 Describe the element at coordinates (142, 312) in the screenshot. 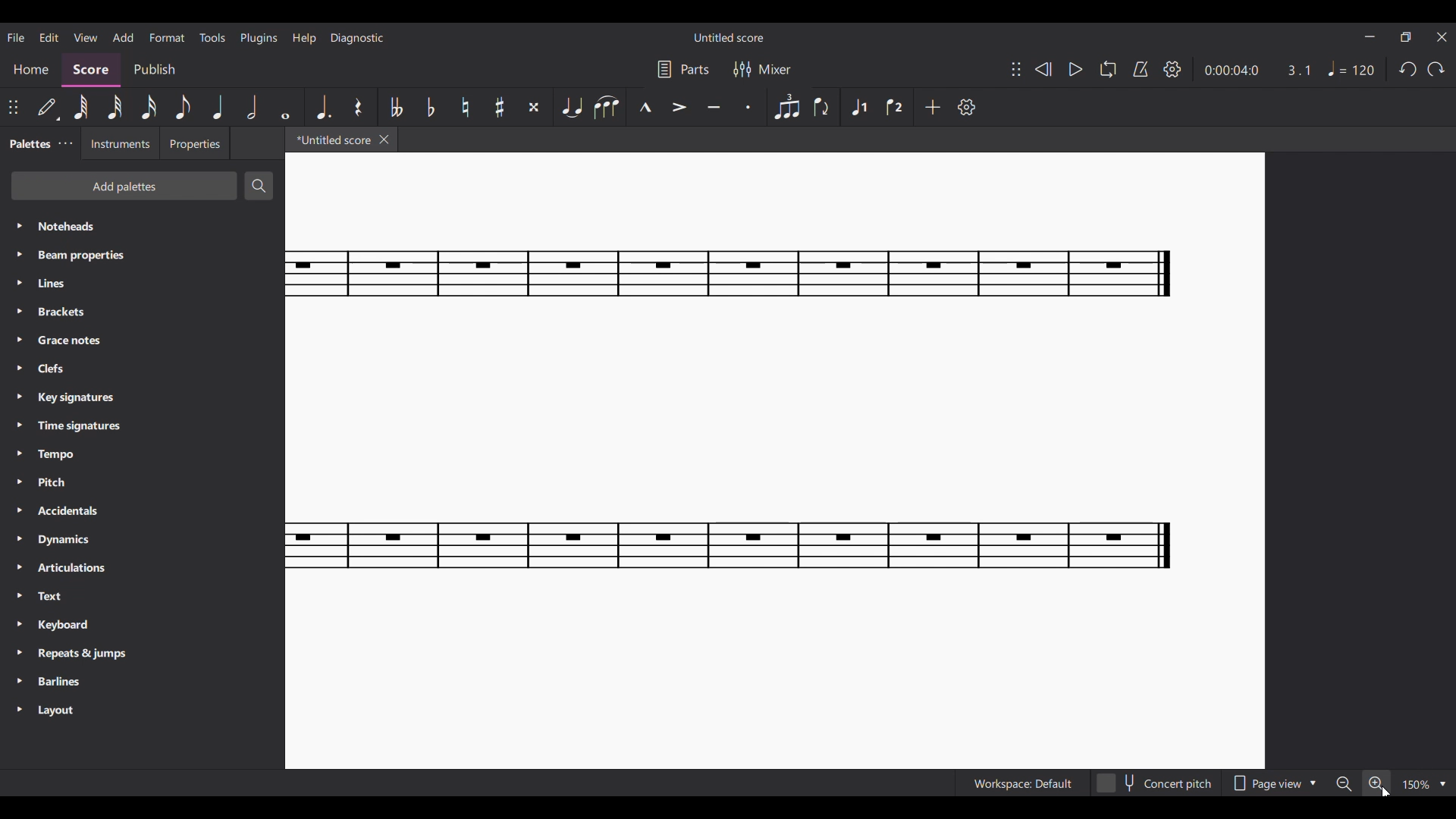

I see `Brackets` at that location.